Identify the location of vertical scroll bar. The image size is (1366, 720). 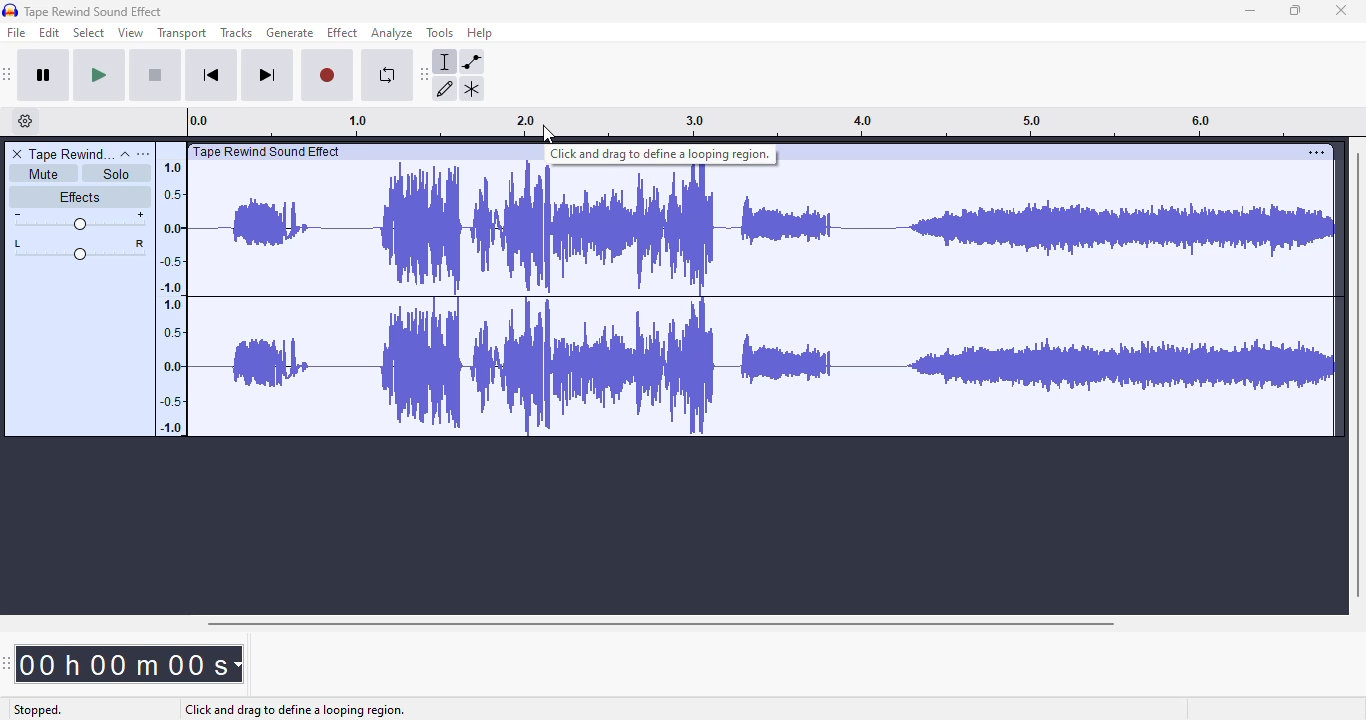
(1359, 370).